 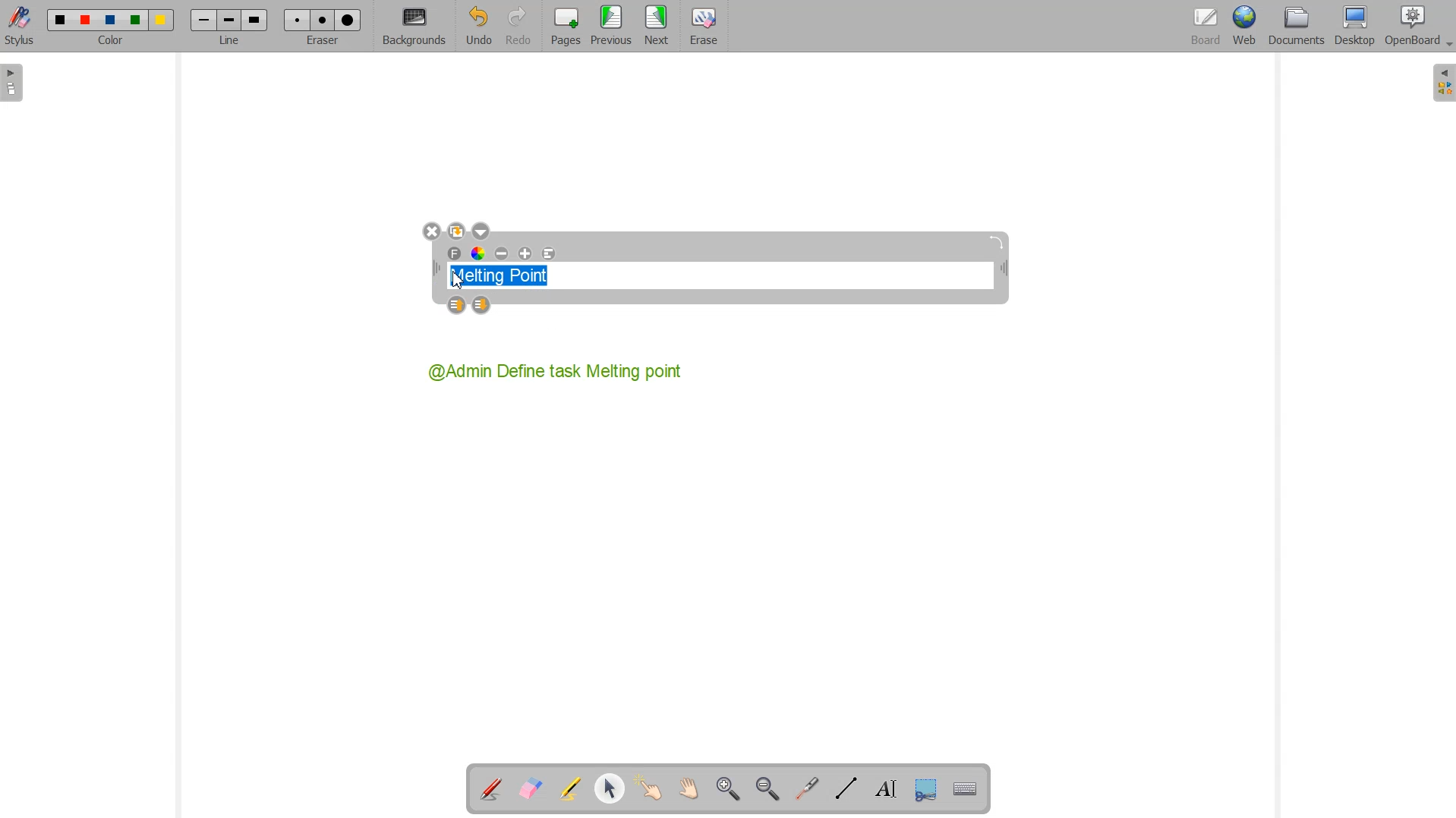 I want to click on @Admin Define task Melting point, so click(x=557, y=371).